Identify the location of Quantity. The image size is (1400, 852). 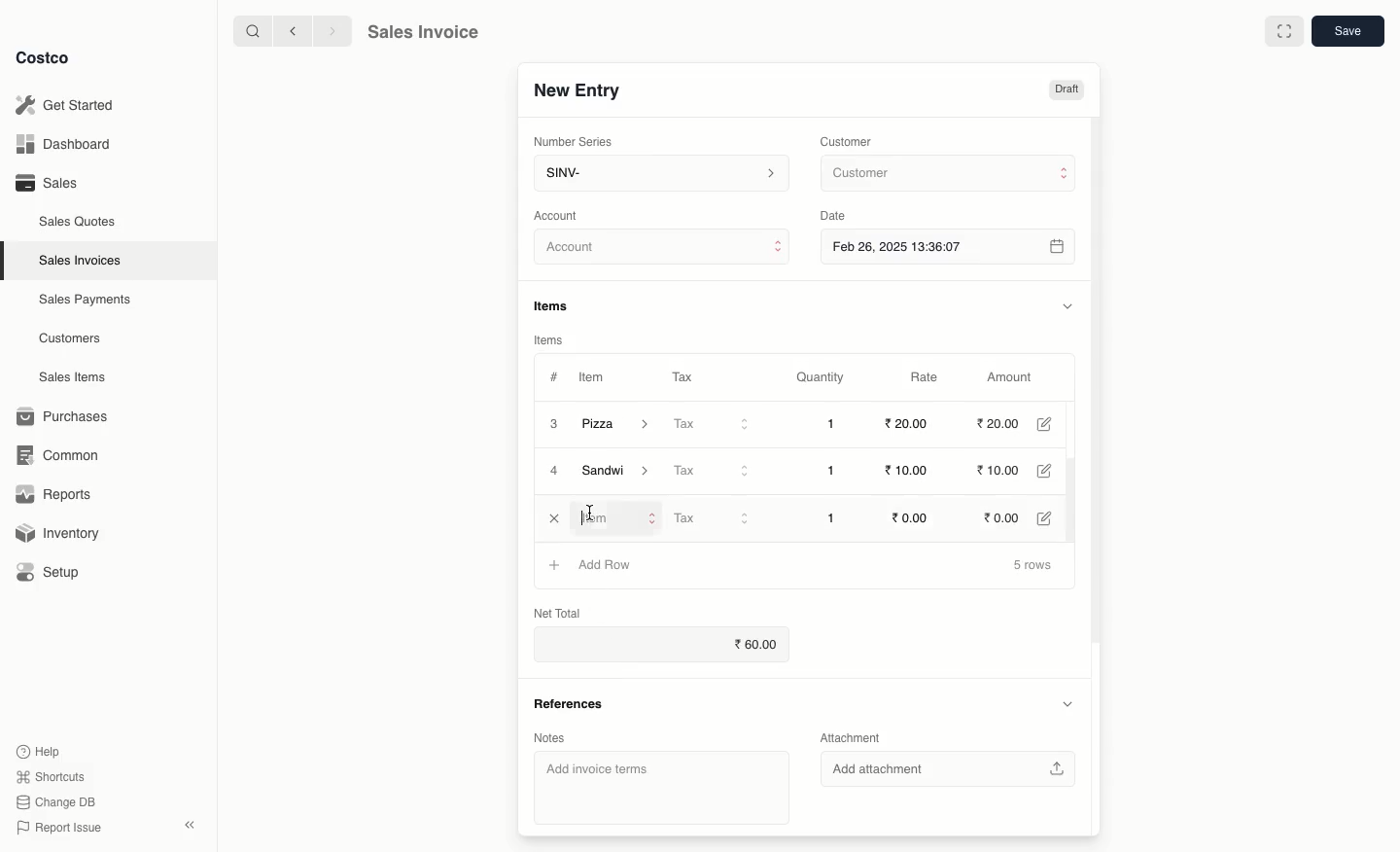
(819, 378).